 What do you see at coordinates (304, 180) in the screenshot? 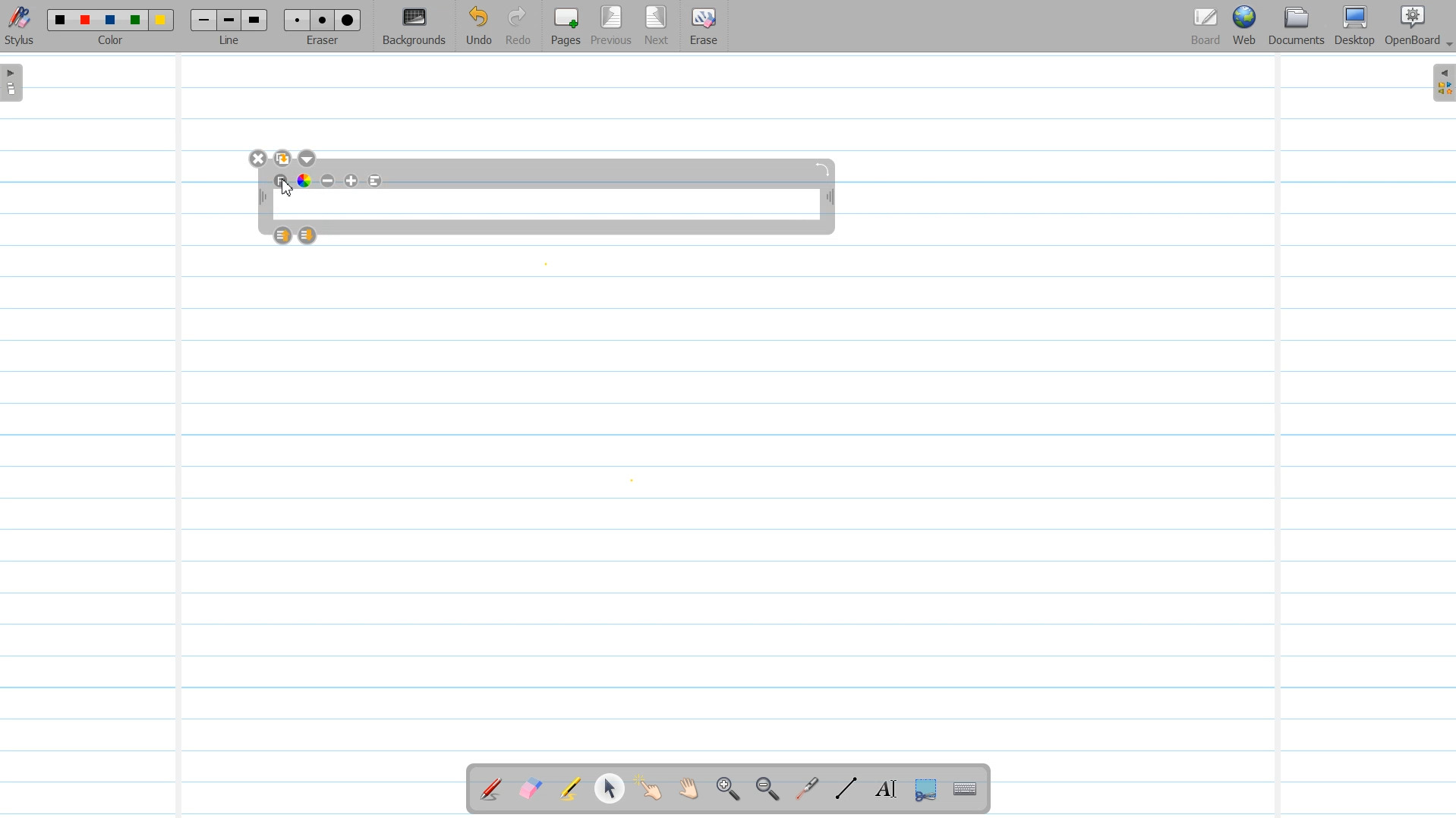
I see `Text Color` at bounding box center [304, 180].